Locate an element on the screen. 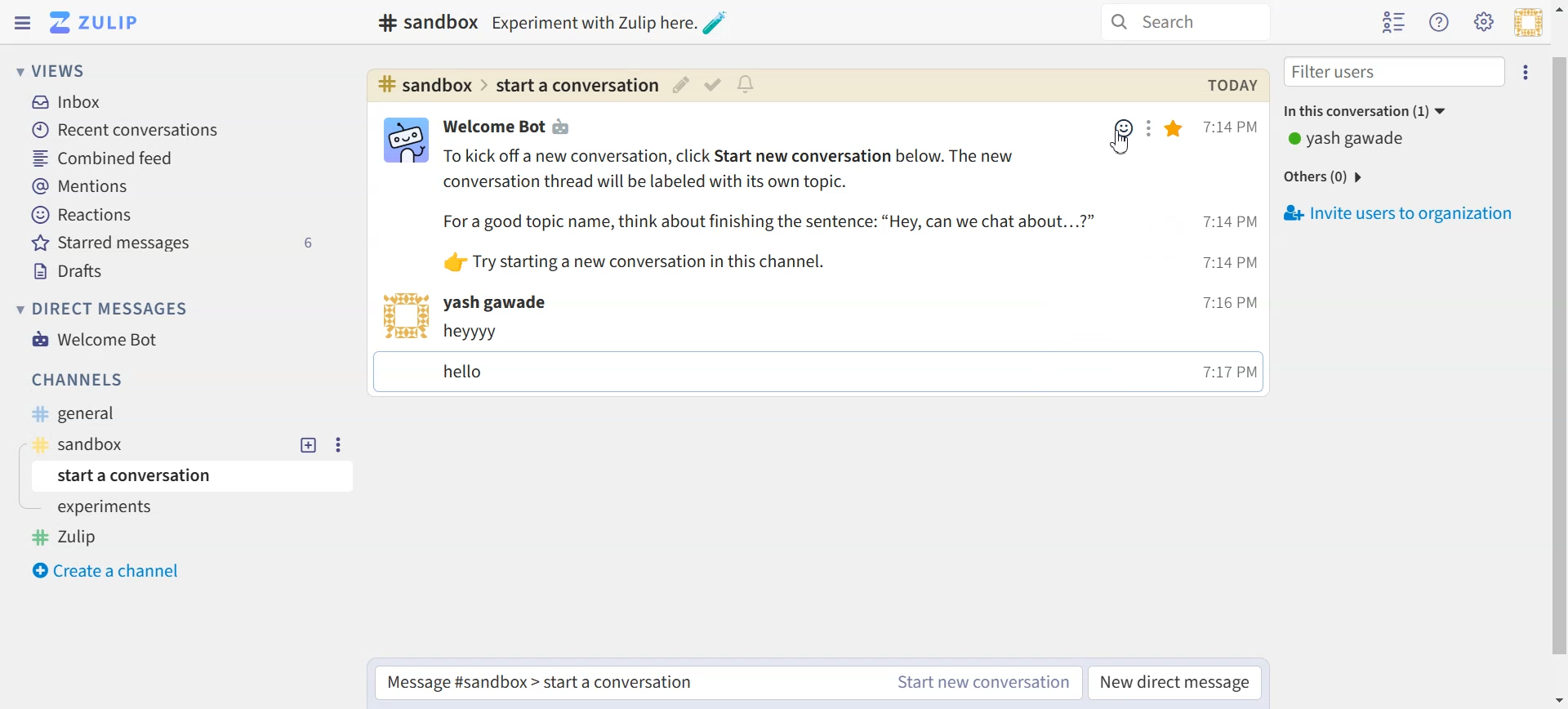 The height and width of the screenshot is (709, 1568). Cursor is located at coordinates (1121, 142).